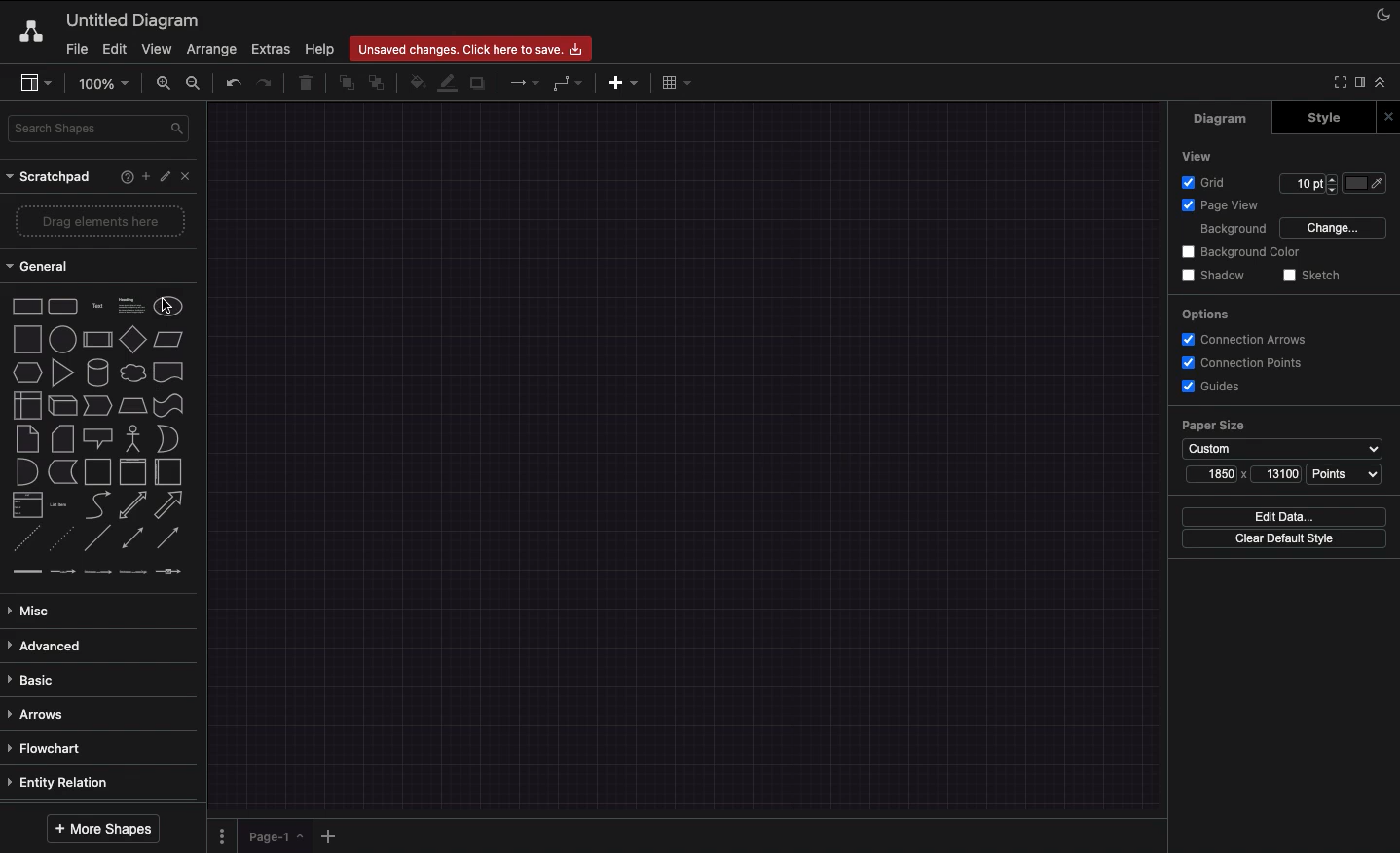 The width and height of the screenshot is (1400, 853). I want to click on Insert, so click(618, 81).